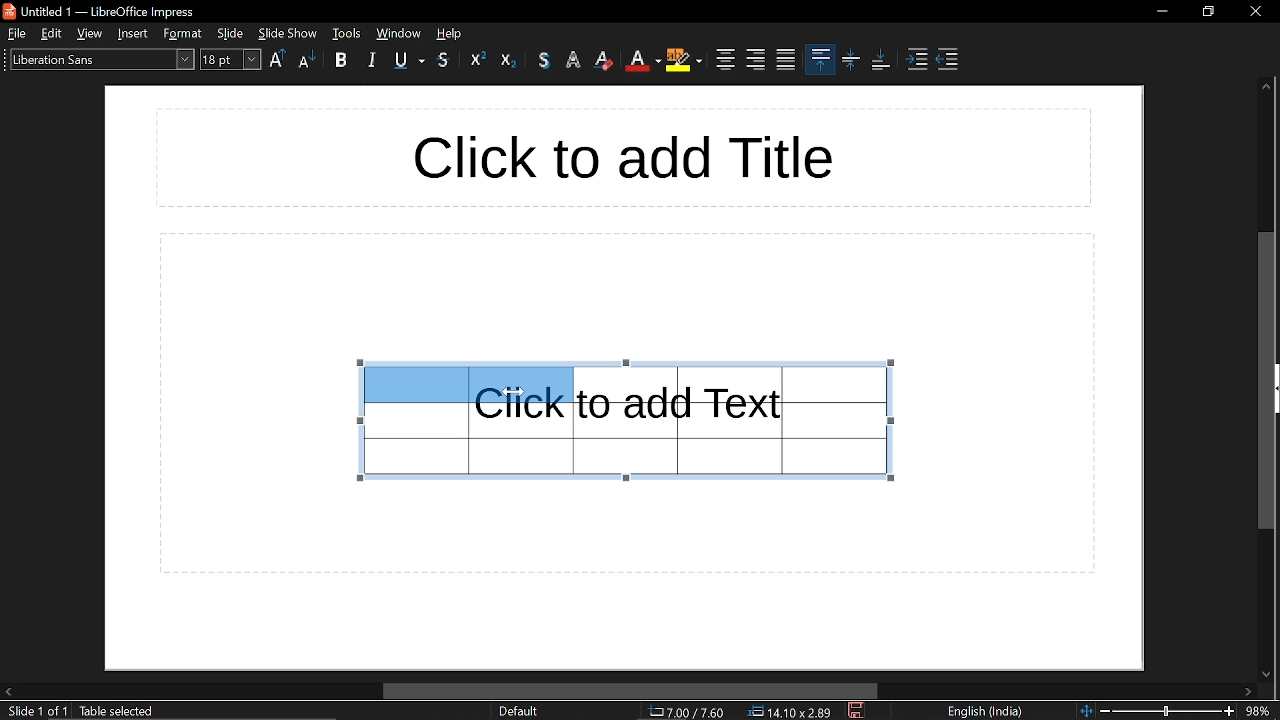 This screenshot has height=720, width=1280. Describe the element at coordinates (398, 33) in the screenshot. I see `tools` at that location.